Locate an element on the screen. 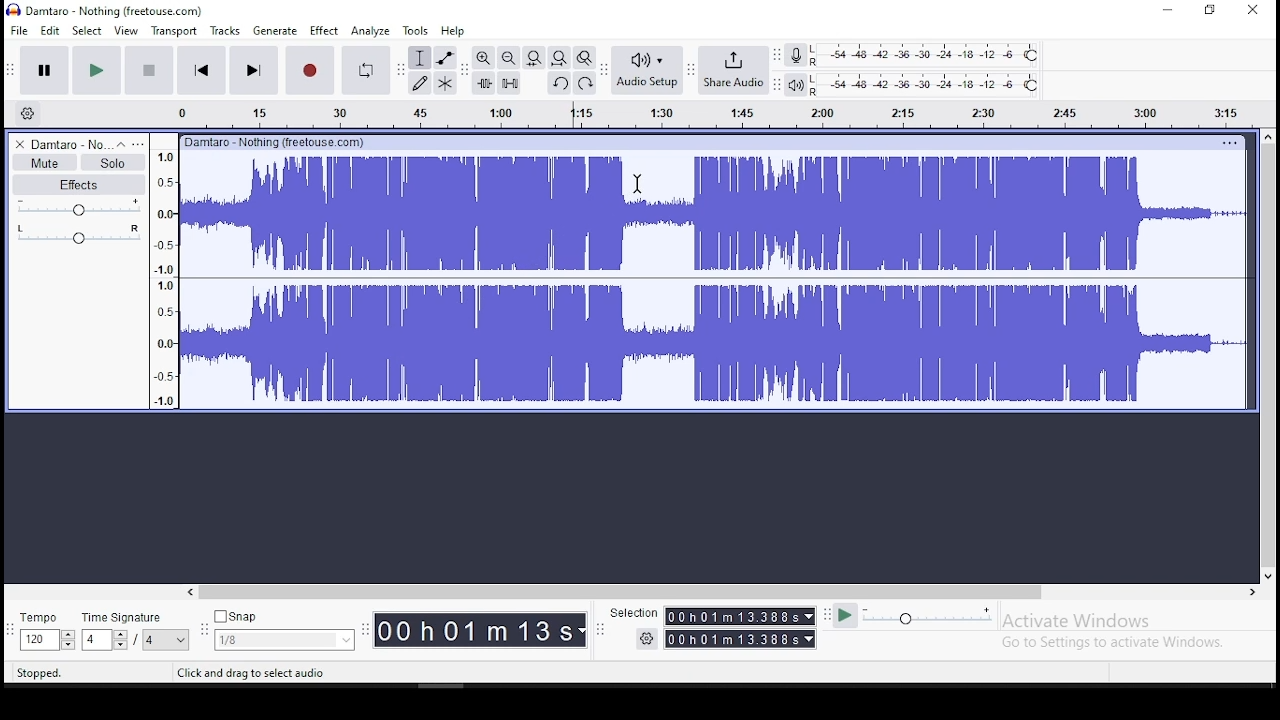 This screenshot has width=1280, height=720. draw tool is located at coordinates (419, 83).